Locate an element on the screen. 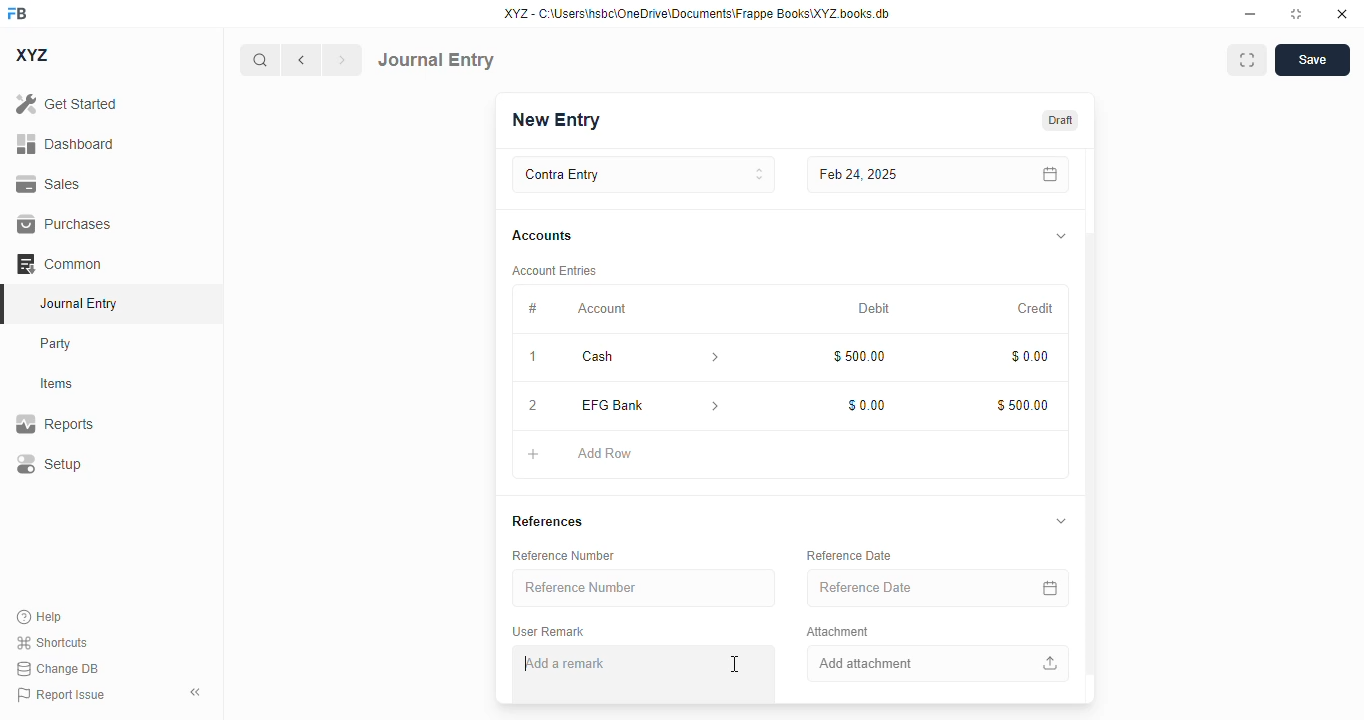 The height and width of the screenshot is (720, 1364). contra entry  is located at coordinates (643, 175).